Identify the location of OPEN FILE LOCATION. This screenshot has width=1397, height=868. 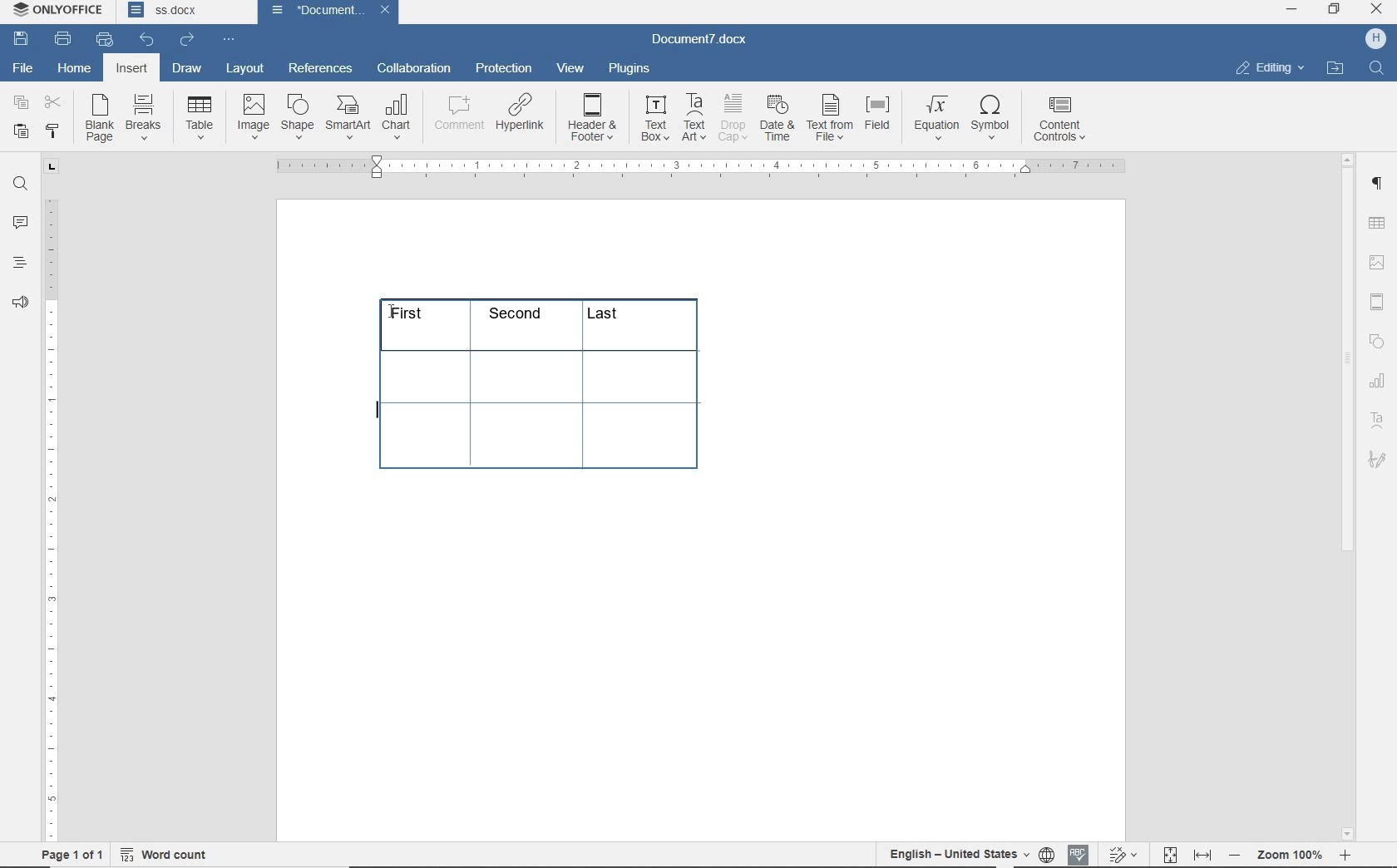
(1336, 68).